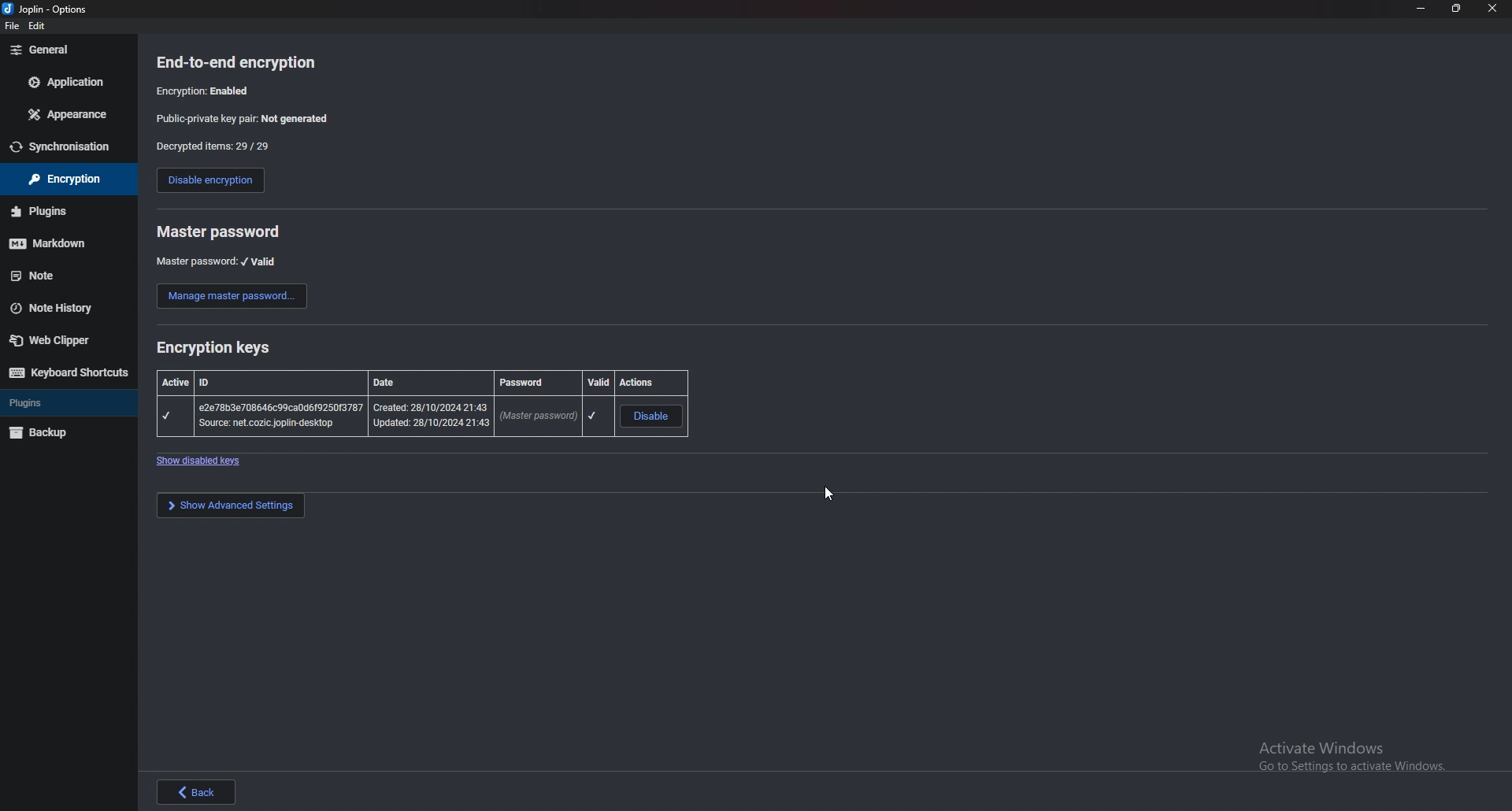 The width and height of the screenshot is (1512, 811). Describe the element at coordinates (239, 61) in the screenshot. I see `end to end encryption` at that location.